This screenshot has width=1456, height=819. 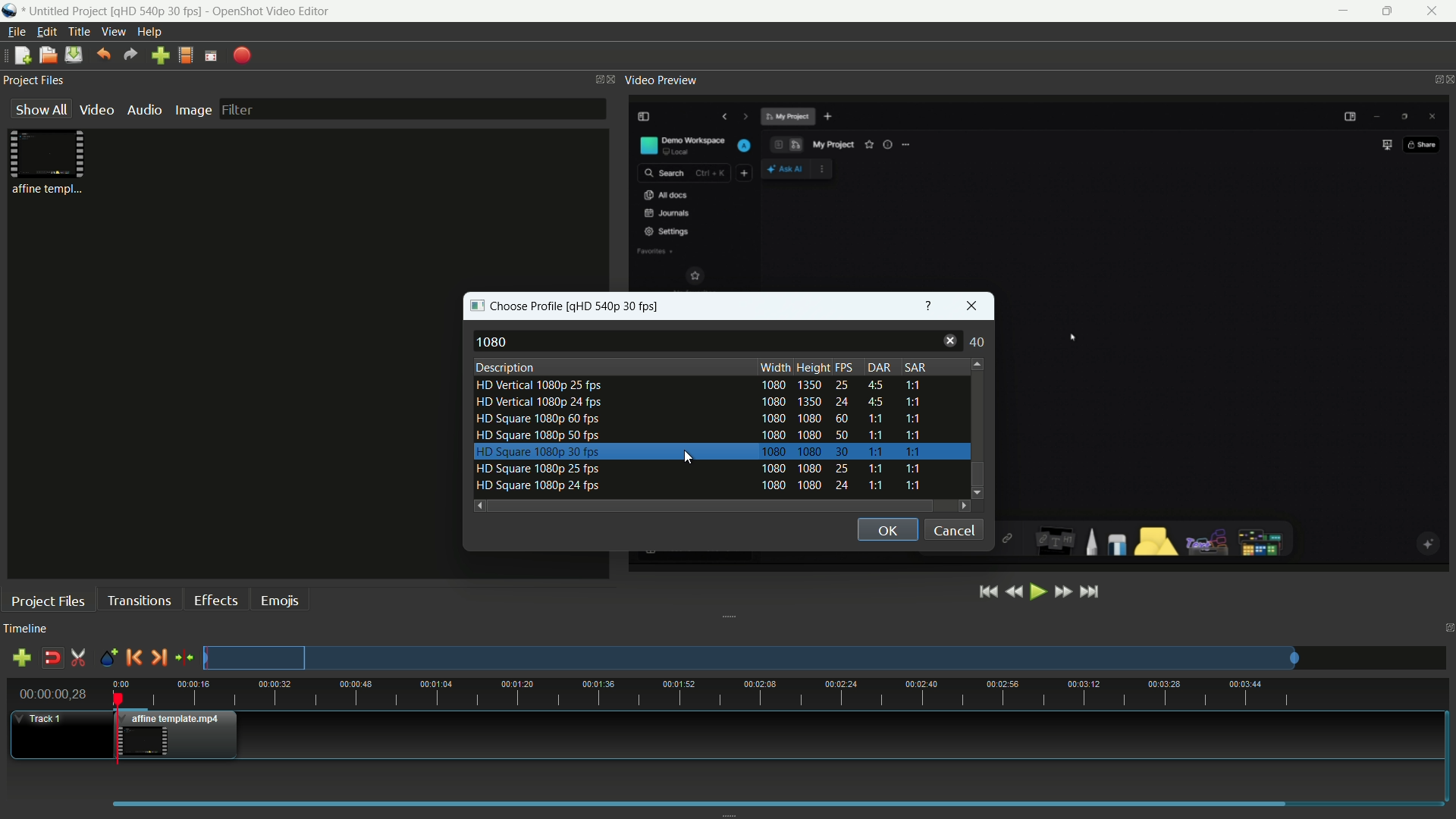 I want to click on app name, so click(x=271, y=11).